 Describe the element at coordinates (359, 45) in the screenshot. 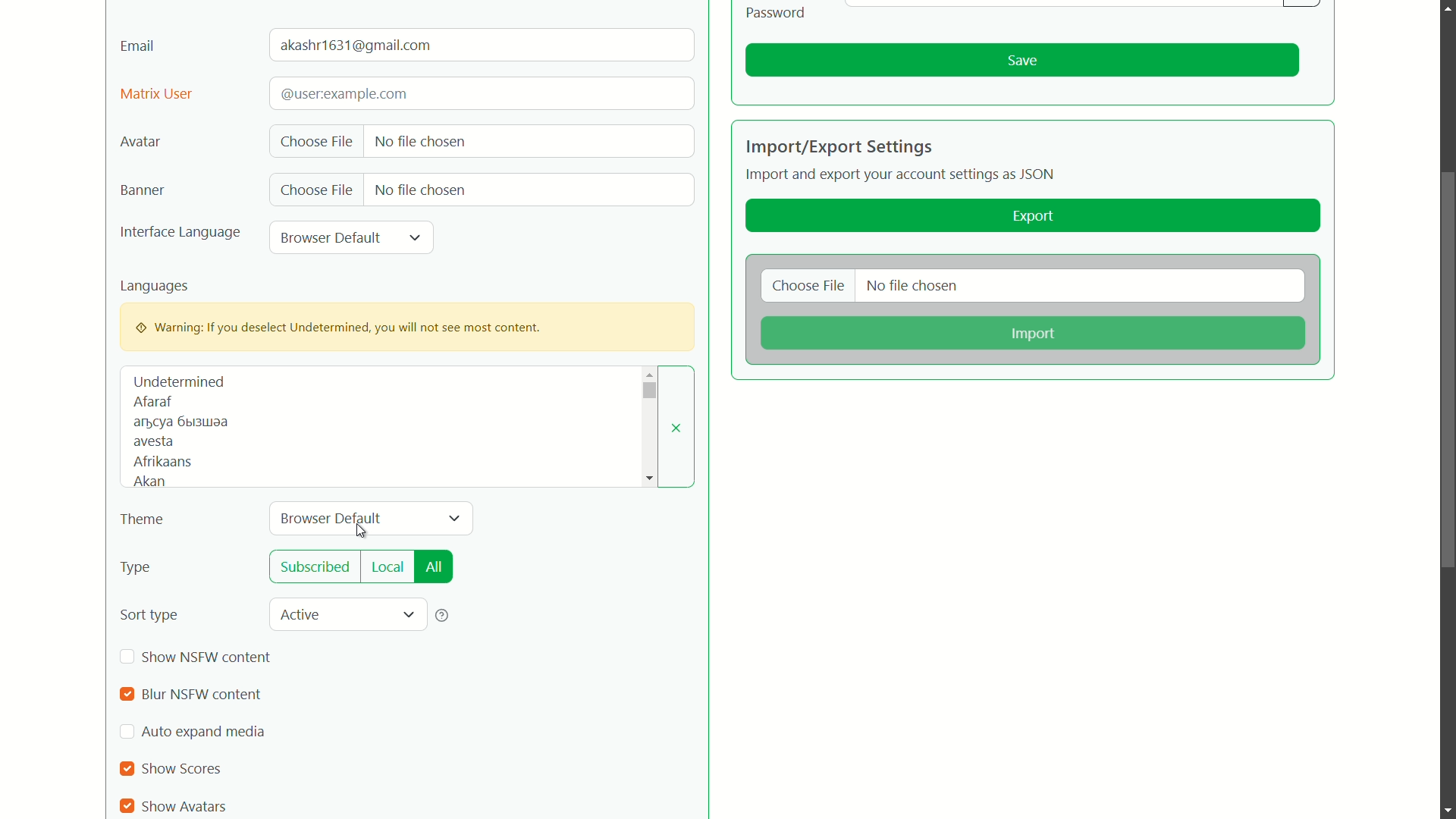

I see `user mail` at that location.